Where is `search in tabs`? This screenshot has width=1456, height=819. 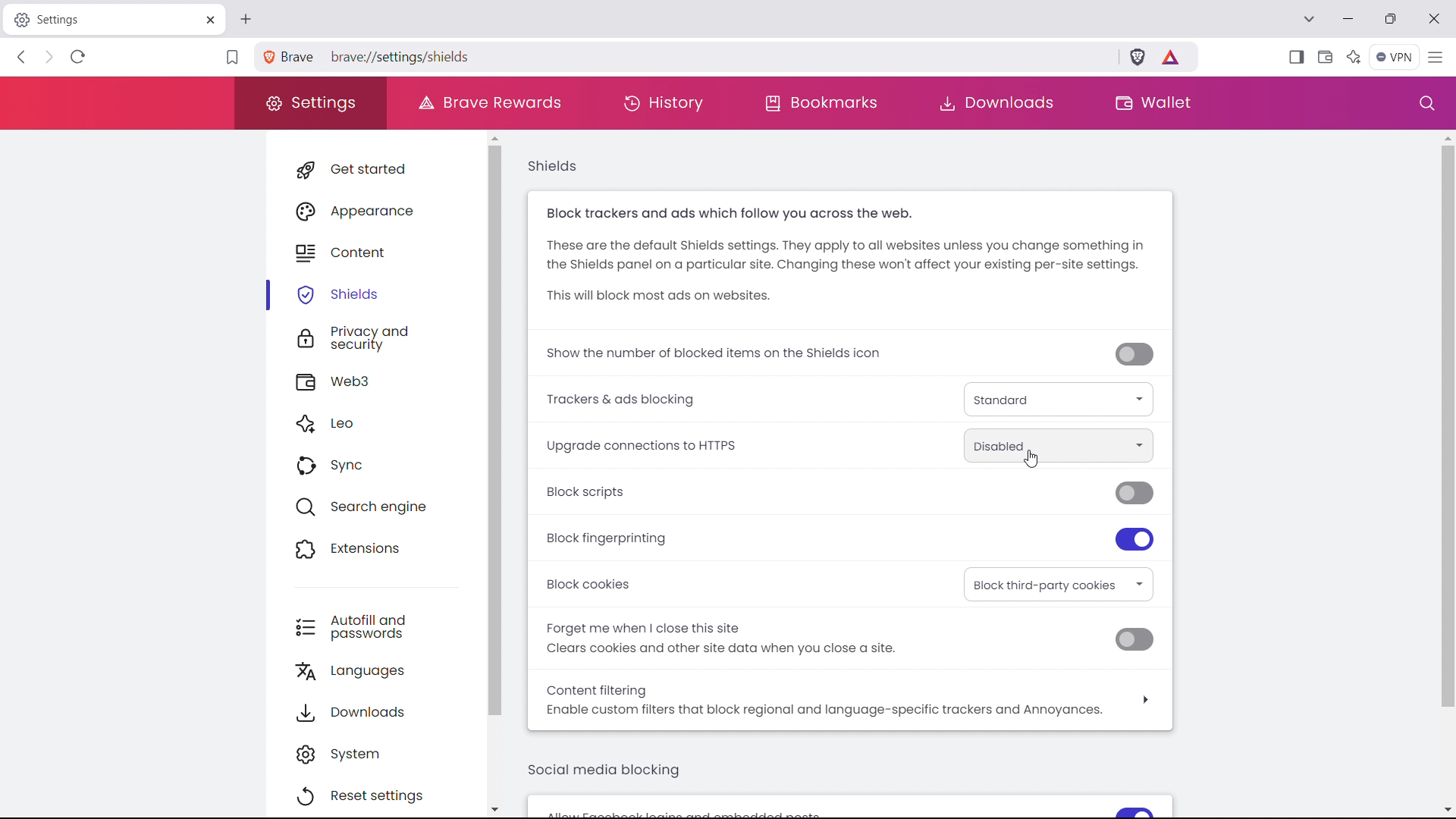 search in tabs is located at coordinates (1308, 17).